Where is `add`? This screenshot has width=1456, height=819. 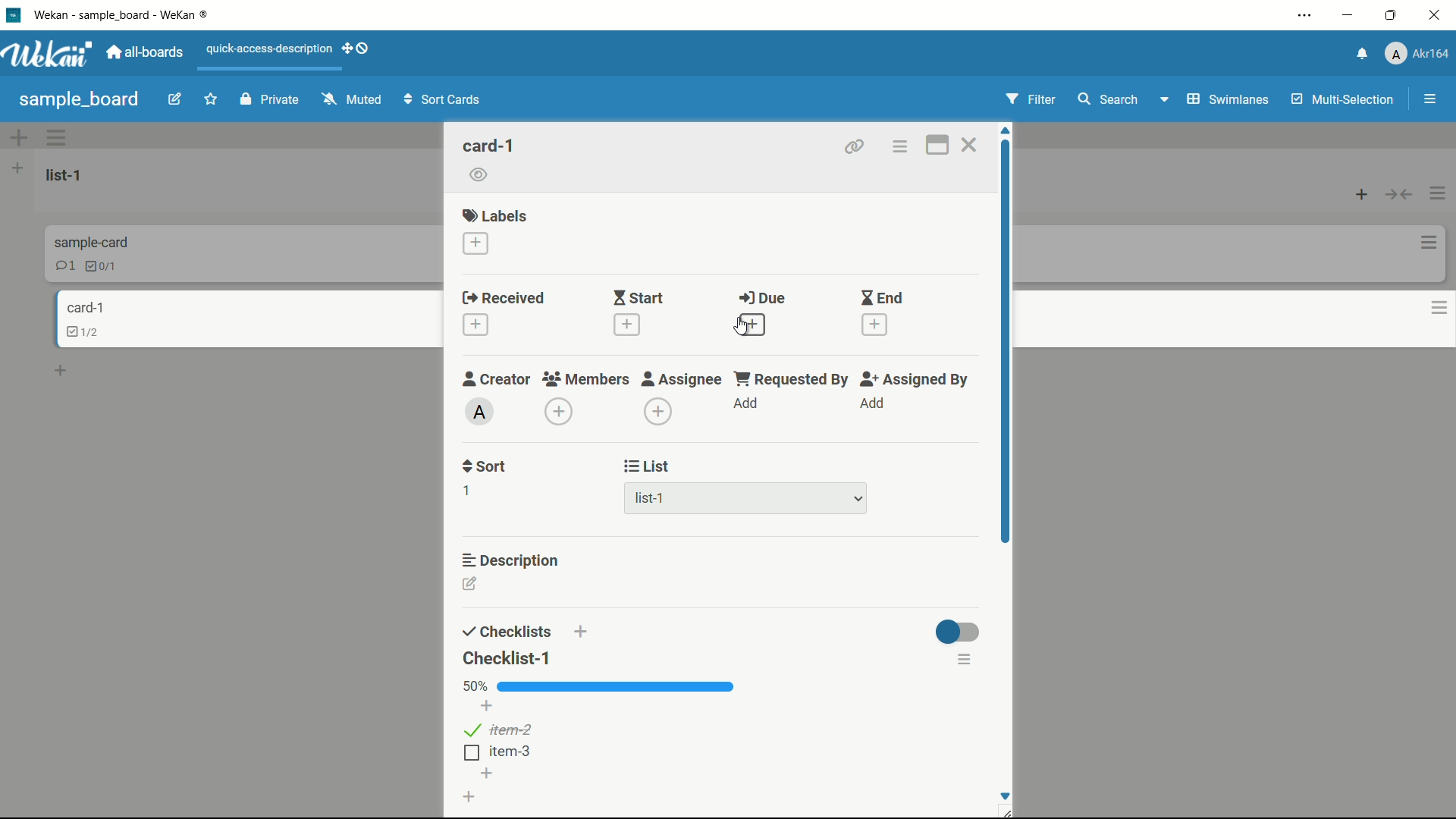
add is located at coordinates (748, 405).